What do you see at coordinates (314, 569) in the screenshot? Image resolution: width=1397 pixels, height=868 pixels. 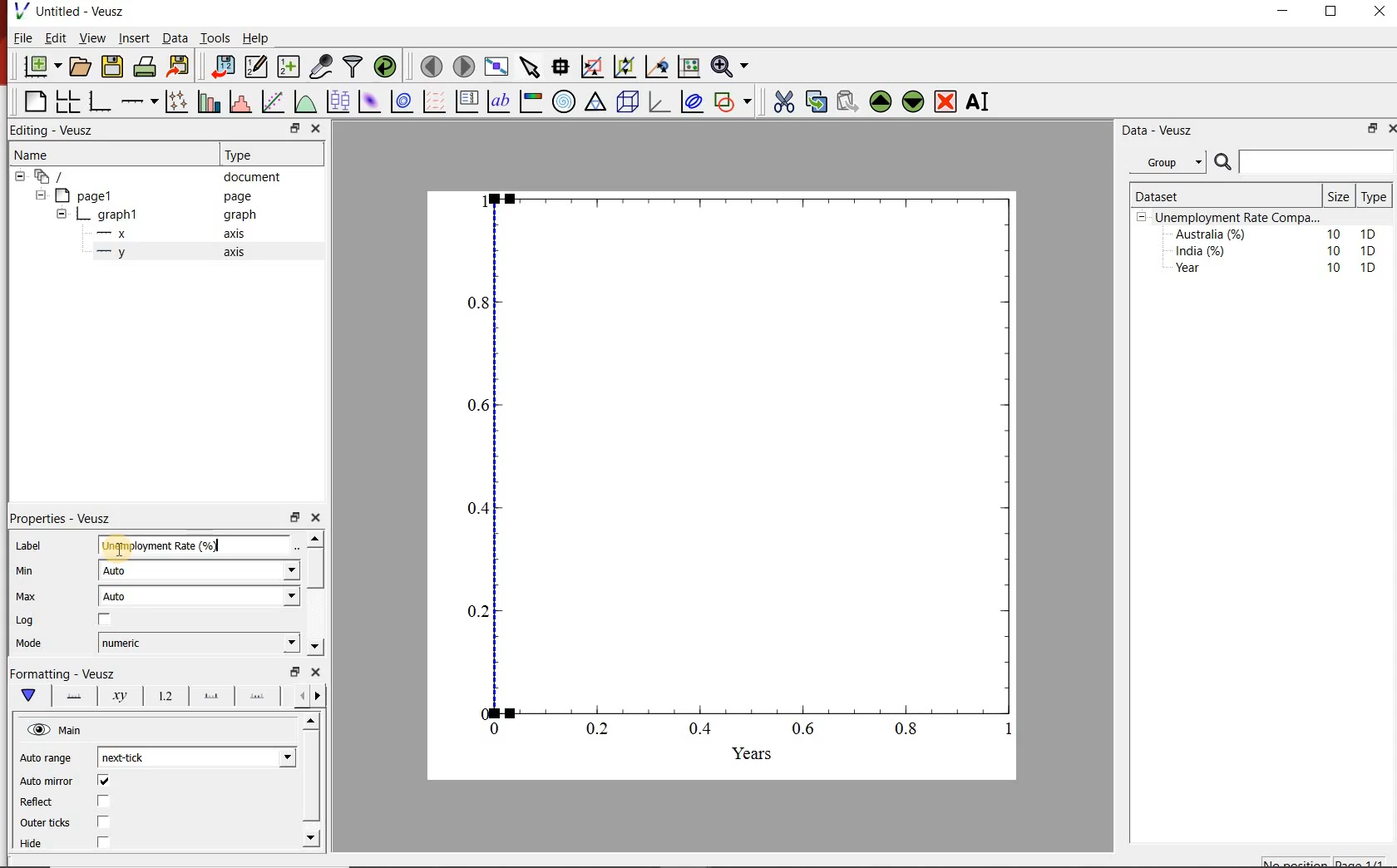 I see `scroll bar` at bounding box center [314, 569].